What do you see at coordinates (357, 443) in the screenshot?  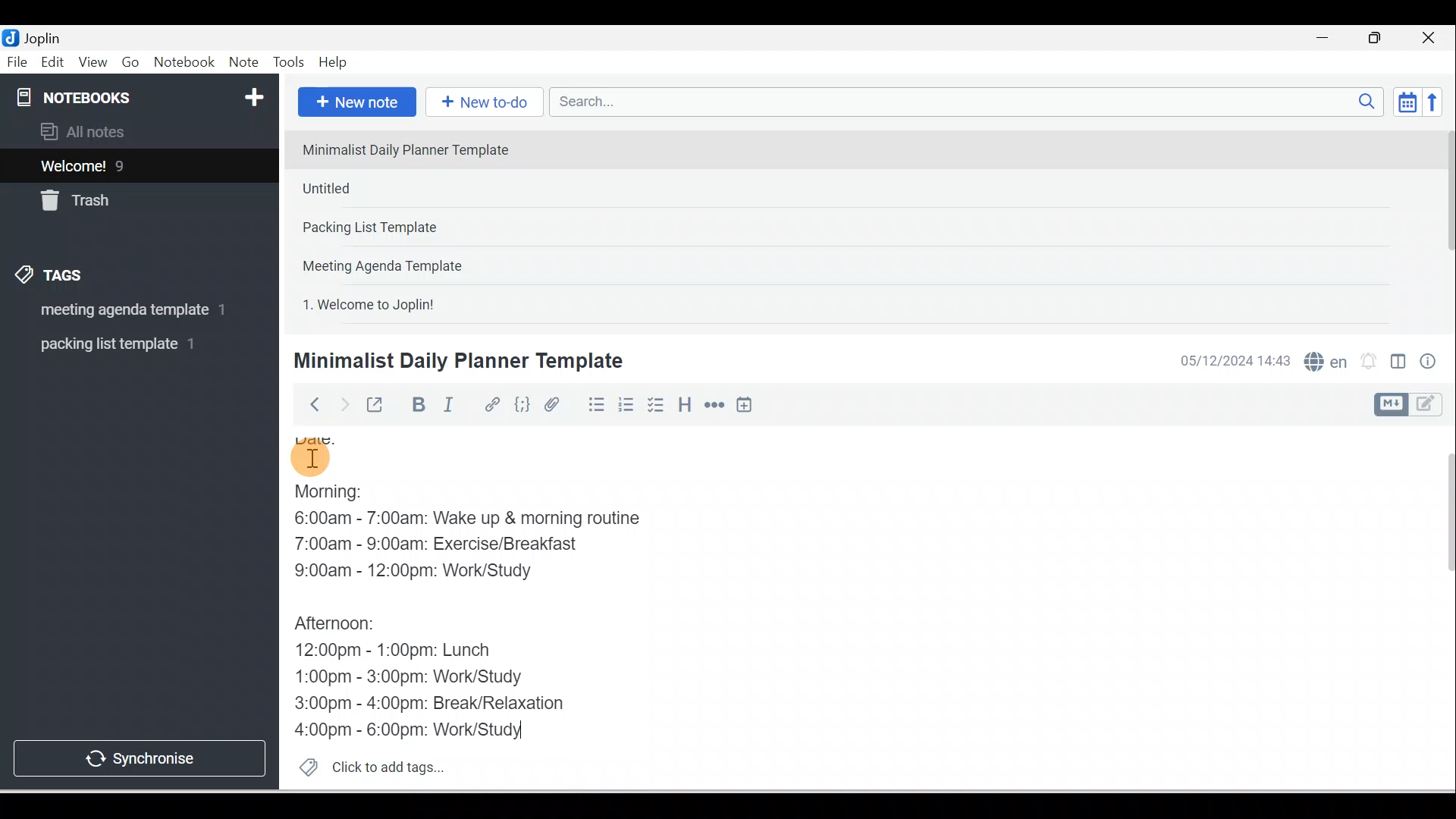 I see `Date:` at bounding box center [357, 443].